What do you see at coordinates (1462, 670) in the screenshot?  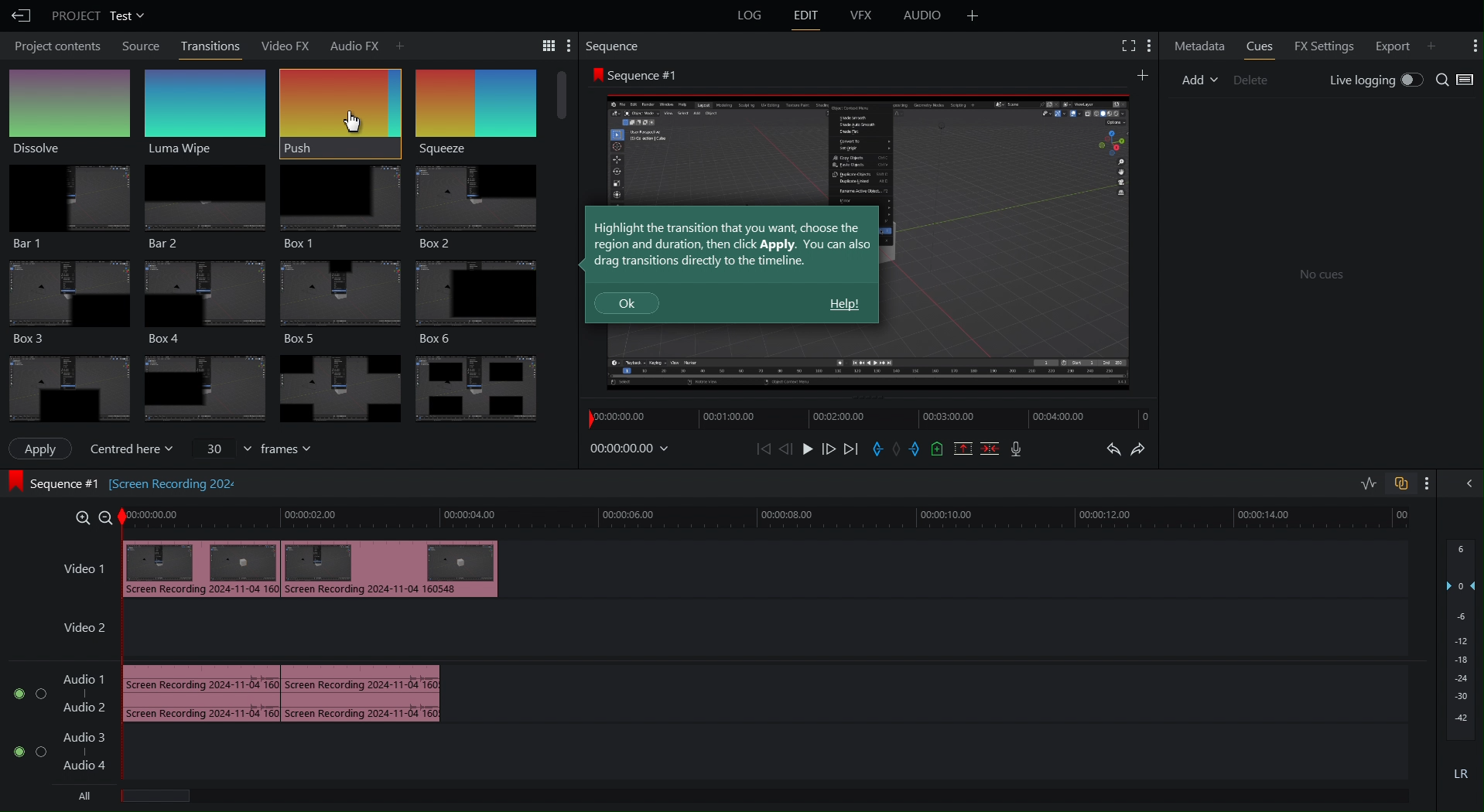 I see `Audio Levels` at bounding box center [1462, 670].